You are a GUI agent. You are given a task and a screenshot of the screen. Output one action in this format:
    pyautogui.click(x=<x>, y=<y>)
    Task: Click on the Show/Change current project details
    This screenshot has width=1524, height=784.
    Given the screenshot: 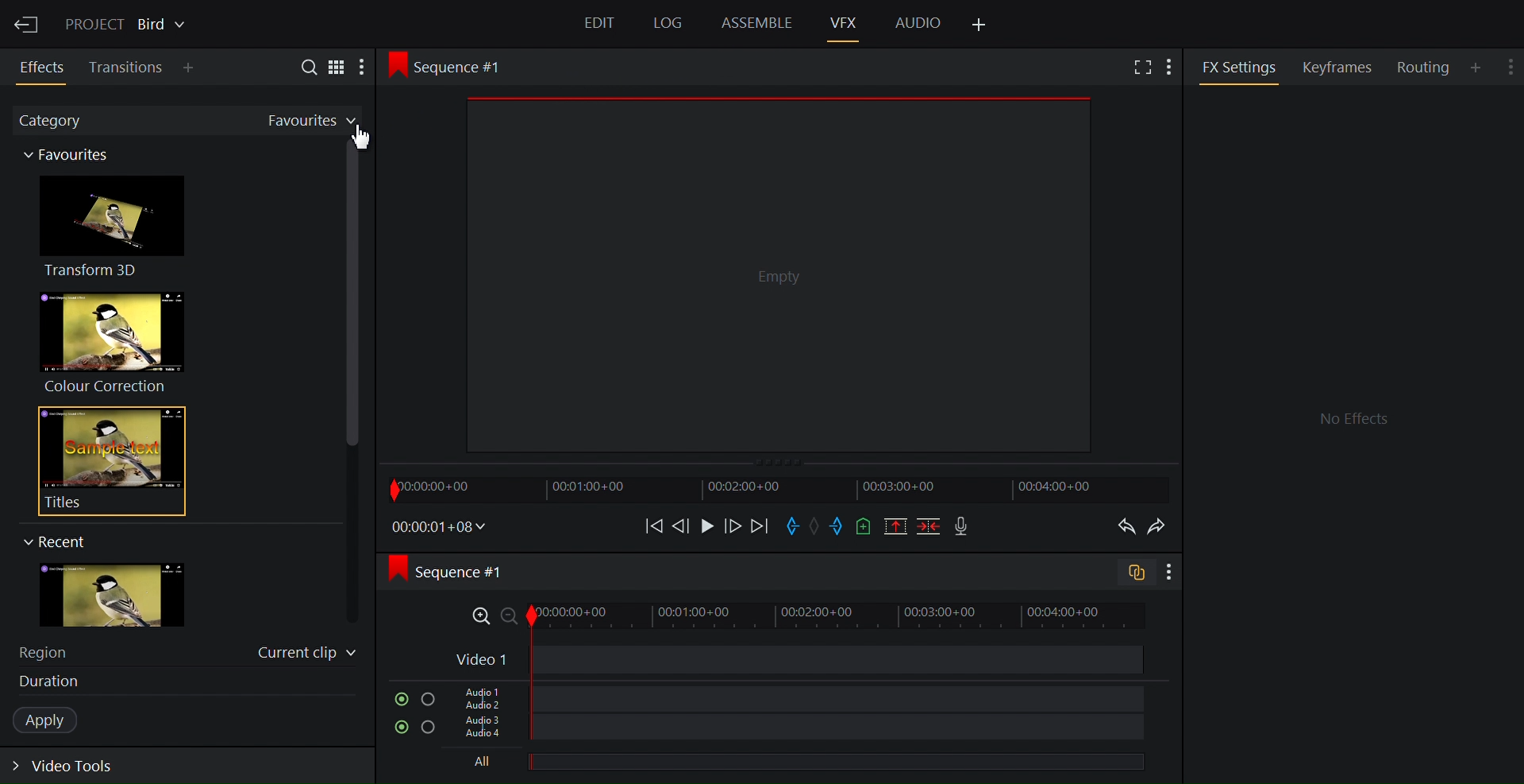 What is the action you would take?
    pyautogui.click(x=128, y=22)
    